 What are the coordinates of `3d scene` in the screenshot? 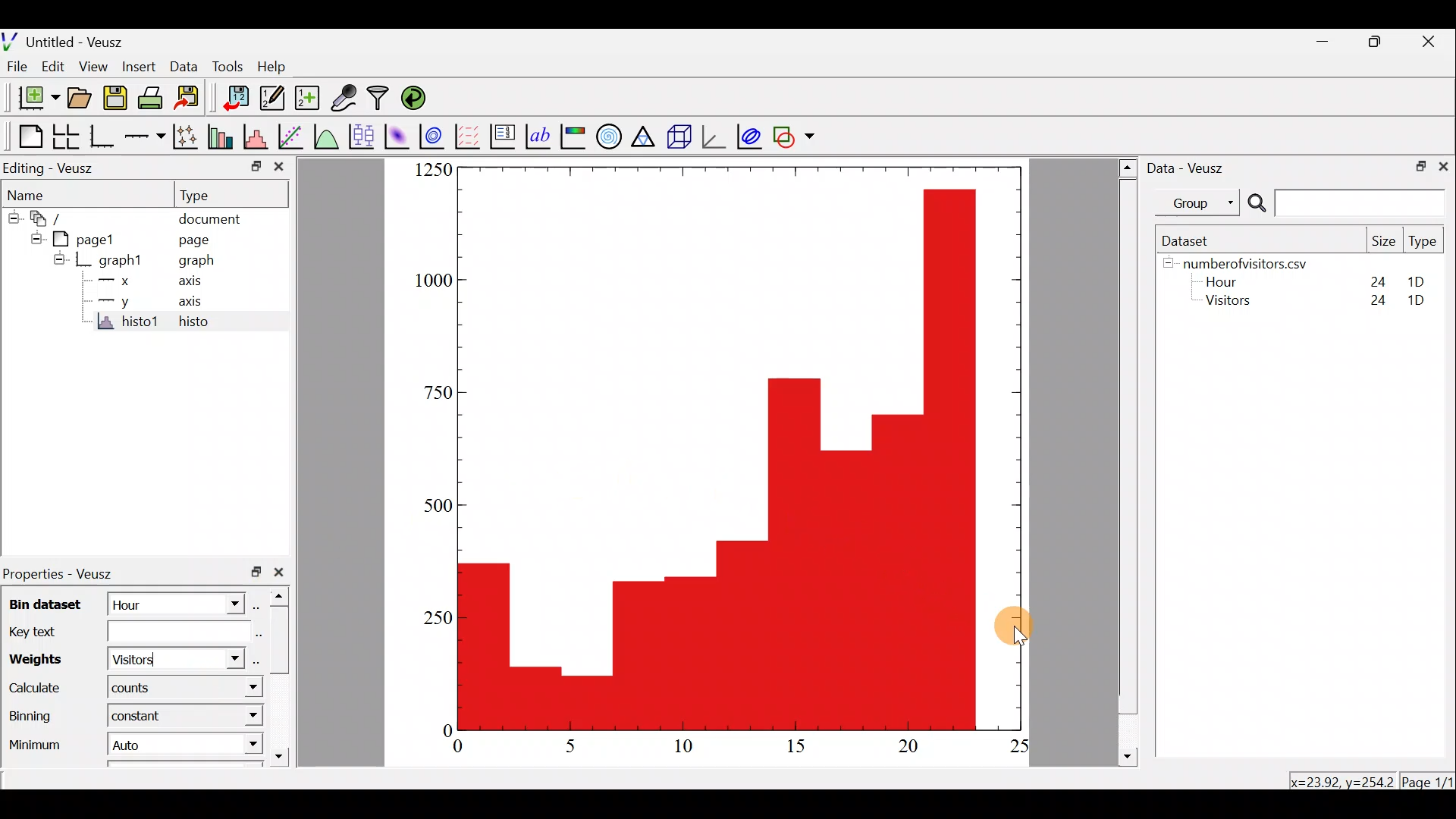 It's located at (677, 140).